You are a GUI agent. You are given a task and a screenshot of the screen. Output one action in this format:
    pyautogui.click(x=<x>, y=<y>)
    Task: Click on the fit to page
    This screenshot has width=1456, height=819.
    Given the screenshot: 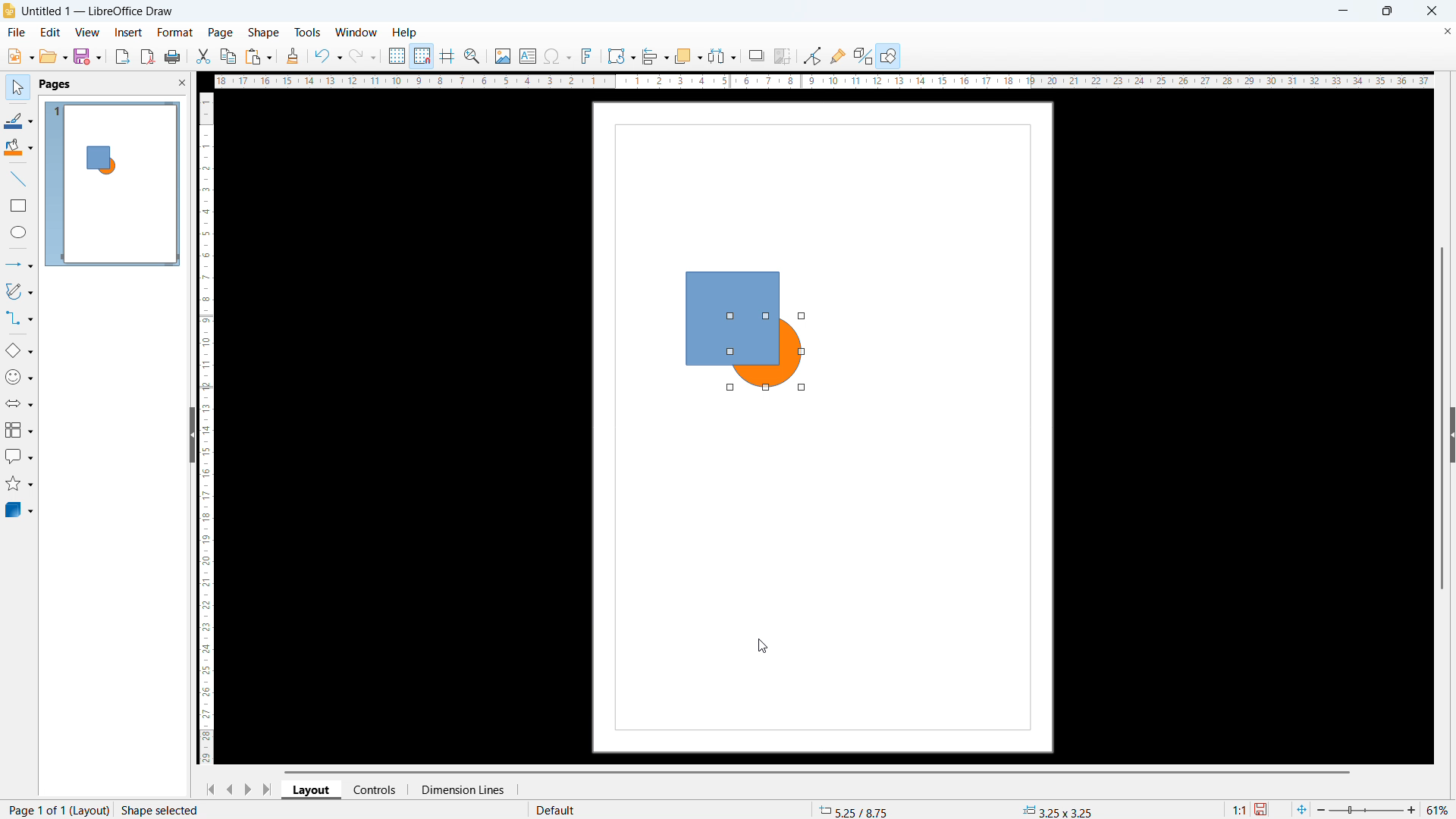 What is the action you would take?
    pyautogui.click(x=1303, y=810)
    